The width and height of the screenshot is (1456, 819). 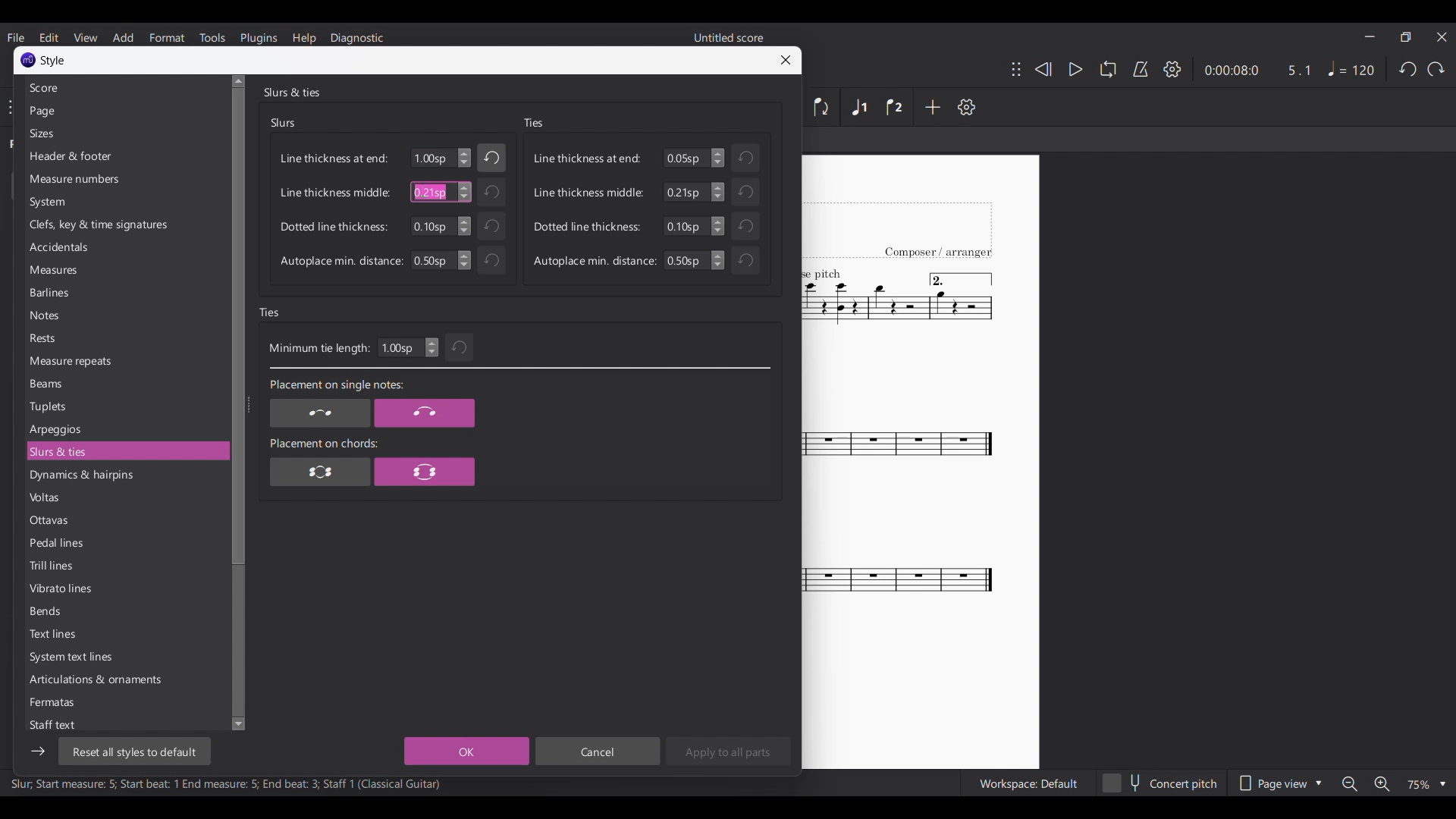 I want to click on Dotted line thickness, so click(x=334, y=227).